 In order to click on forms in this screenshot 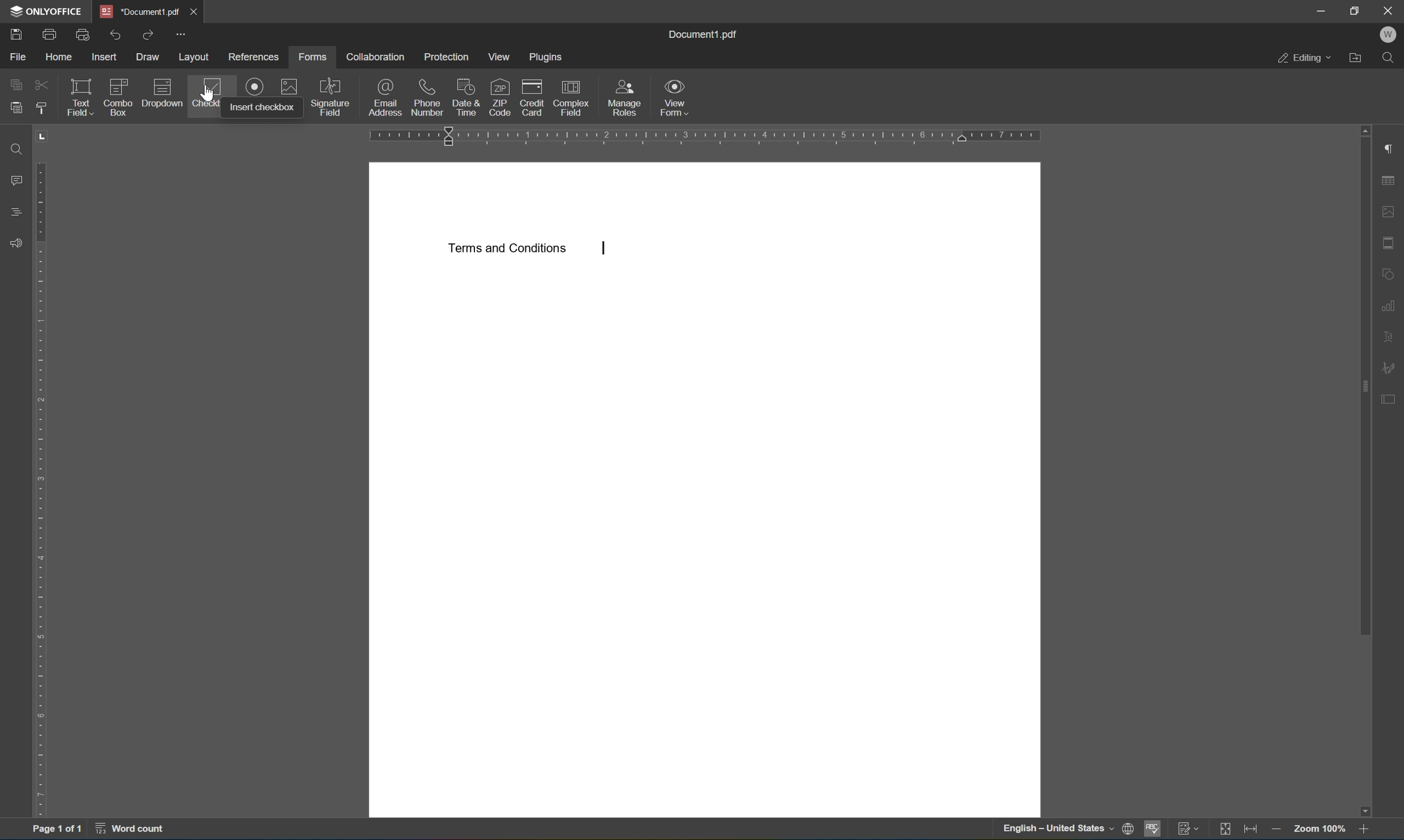, I will do `click(314, 57)`.